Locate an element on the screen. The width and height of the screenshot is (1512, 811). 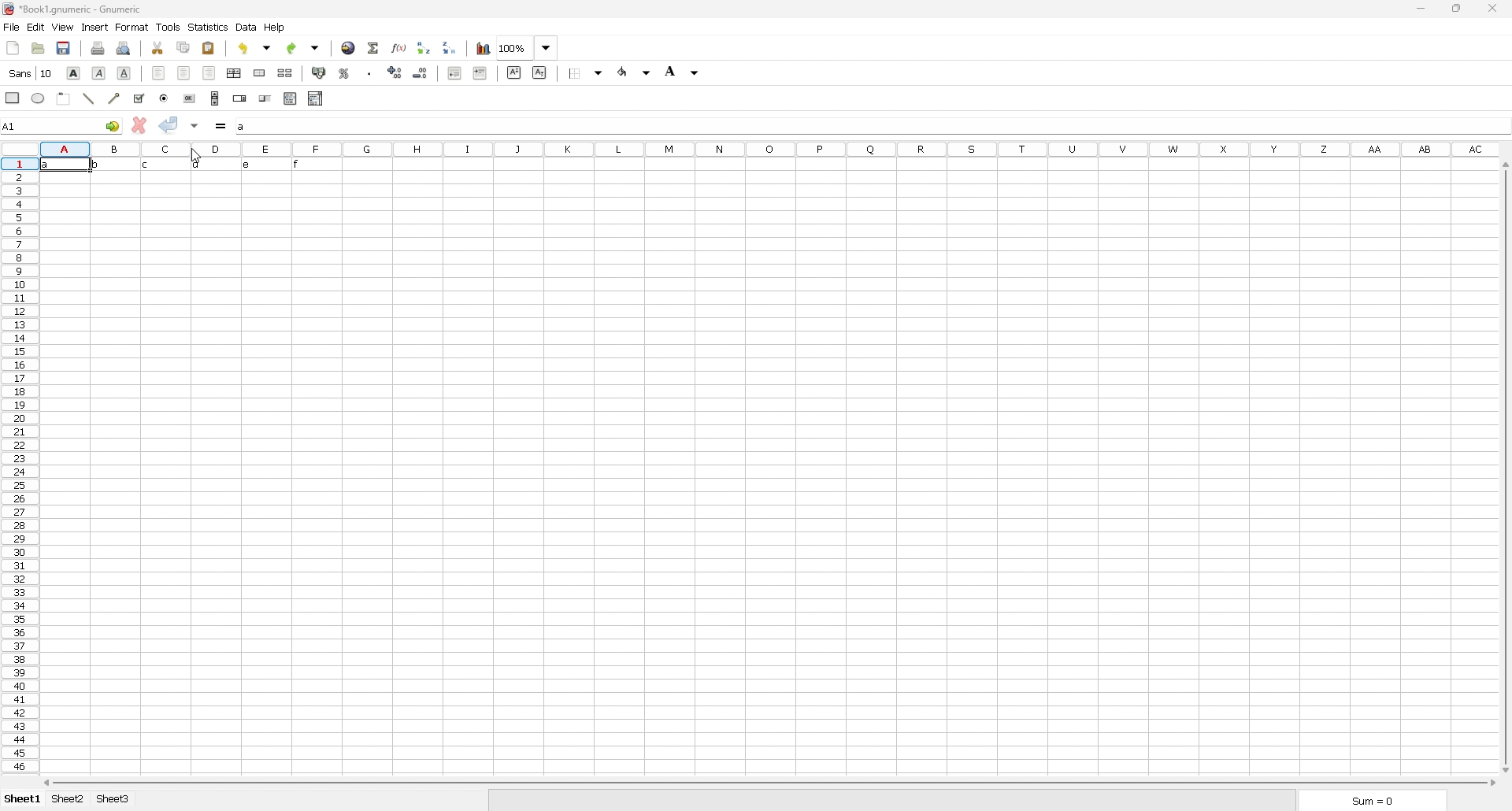
sheet 2 is located at coordinates (68, 800).